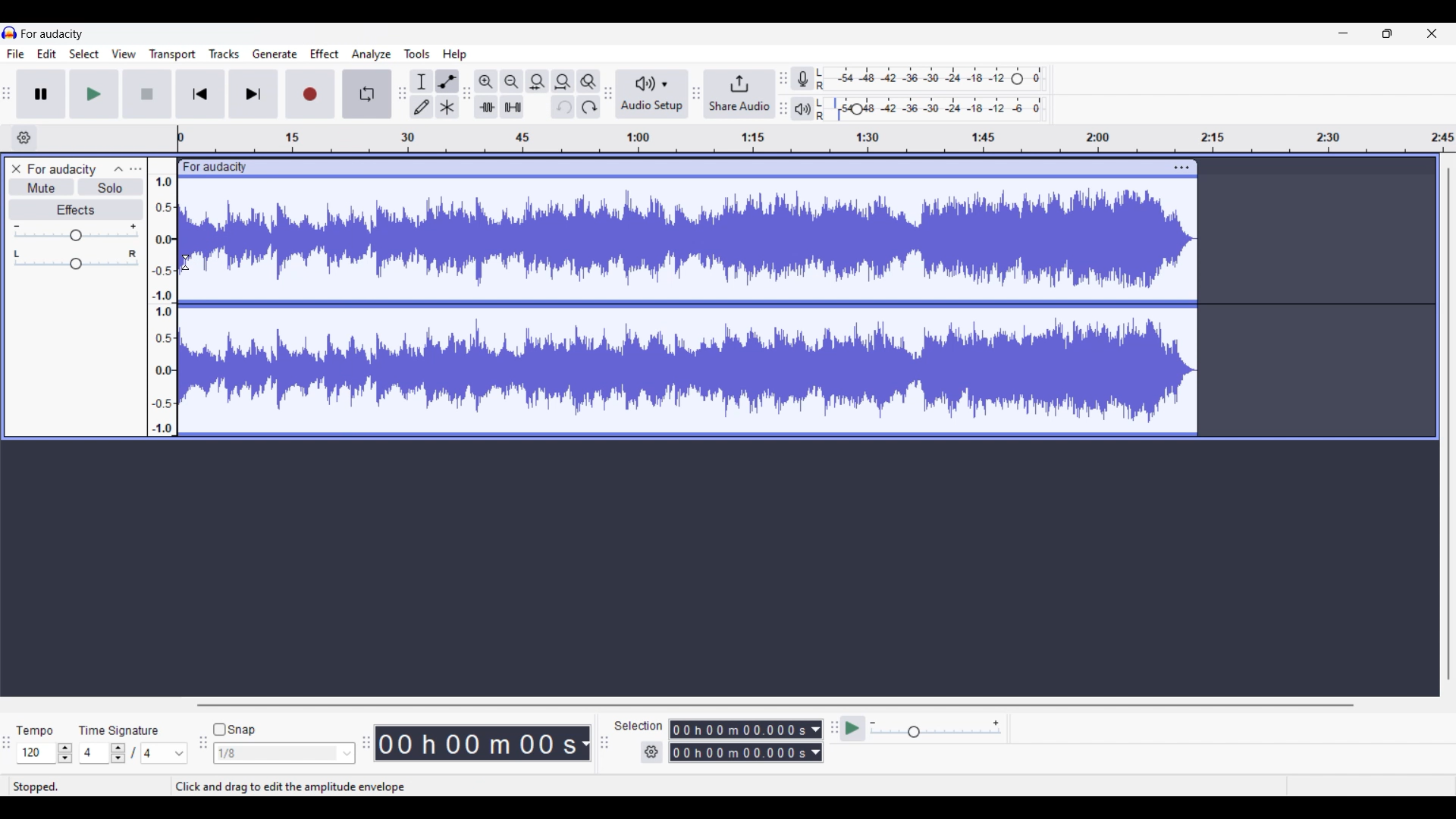 The width and height of the screenshot is (1456, 819). Describe the element at coordinates (95, 94) in the screenshot. I see `Play/Play once` at that location.